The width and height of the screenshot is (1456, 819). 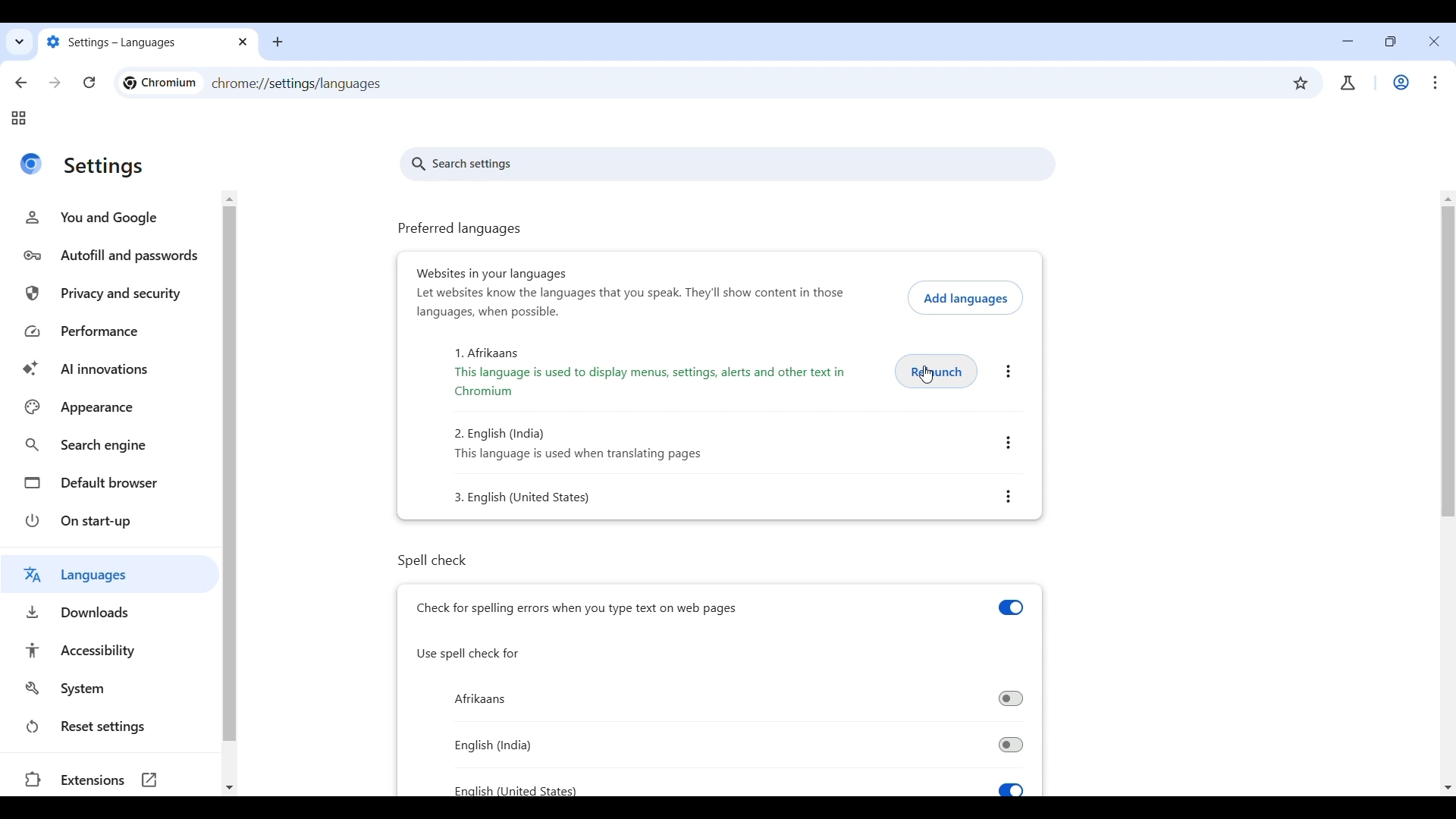 What do you see at coordinates (488, 272) in the screenshot?
I see `websites in your language` at bounding box center [488, 272].